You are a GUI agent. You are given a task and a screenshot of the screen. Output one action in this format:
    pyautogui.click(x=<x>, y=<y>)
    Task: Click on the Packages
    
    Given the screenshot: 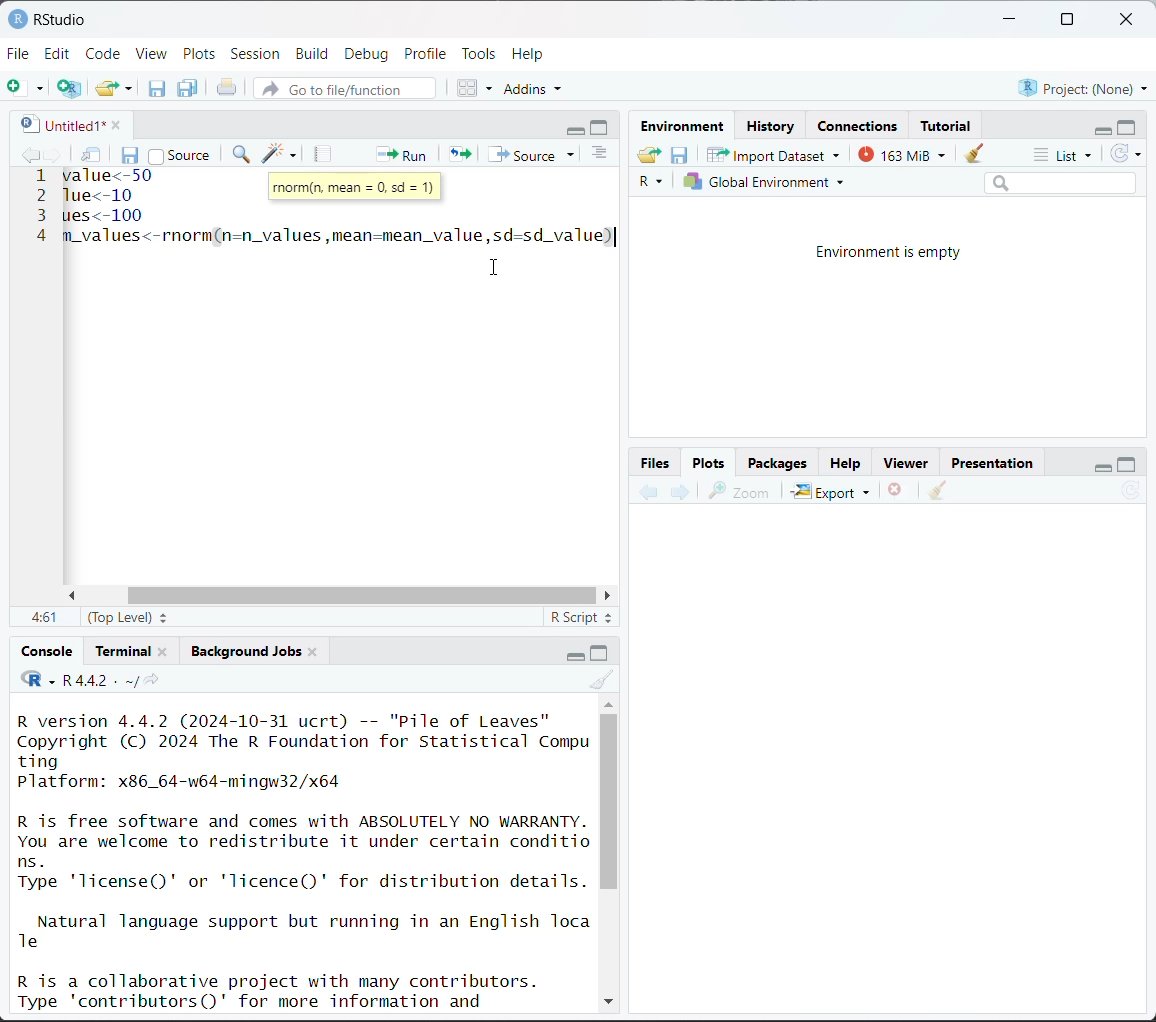 What is the action you would take?
    pyautogui.click(x=777, y=462)
    